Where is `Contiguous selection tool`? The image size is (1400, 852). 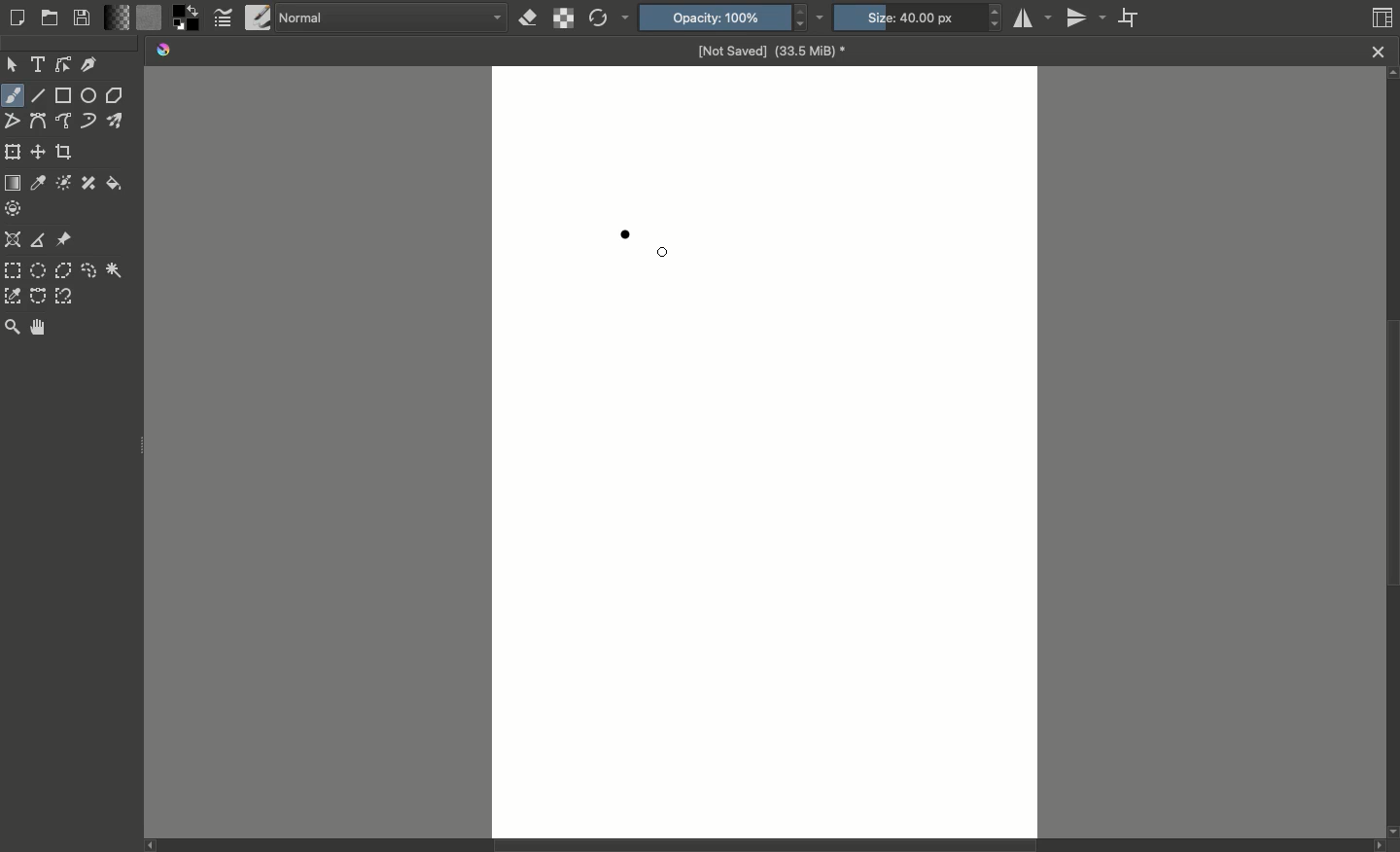
Contiguous selection tool is located at coordinates (115, 269).